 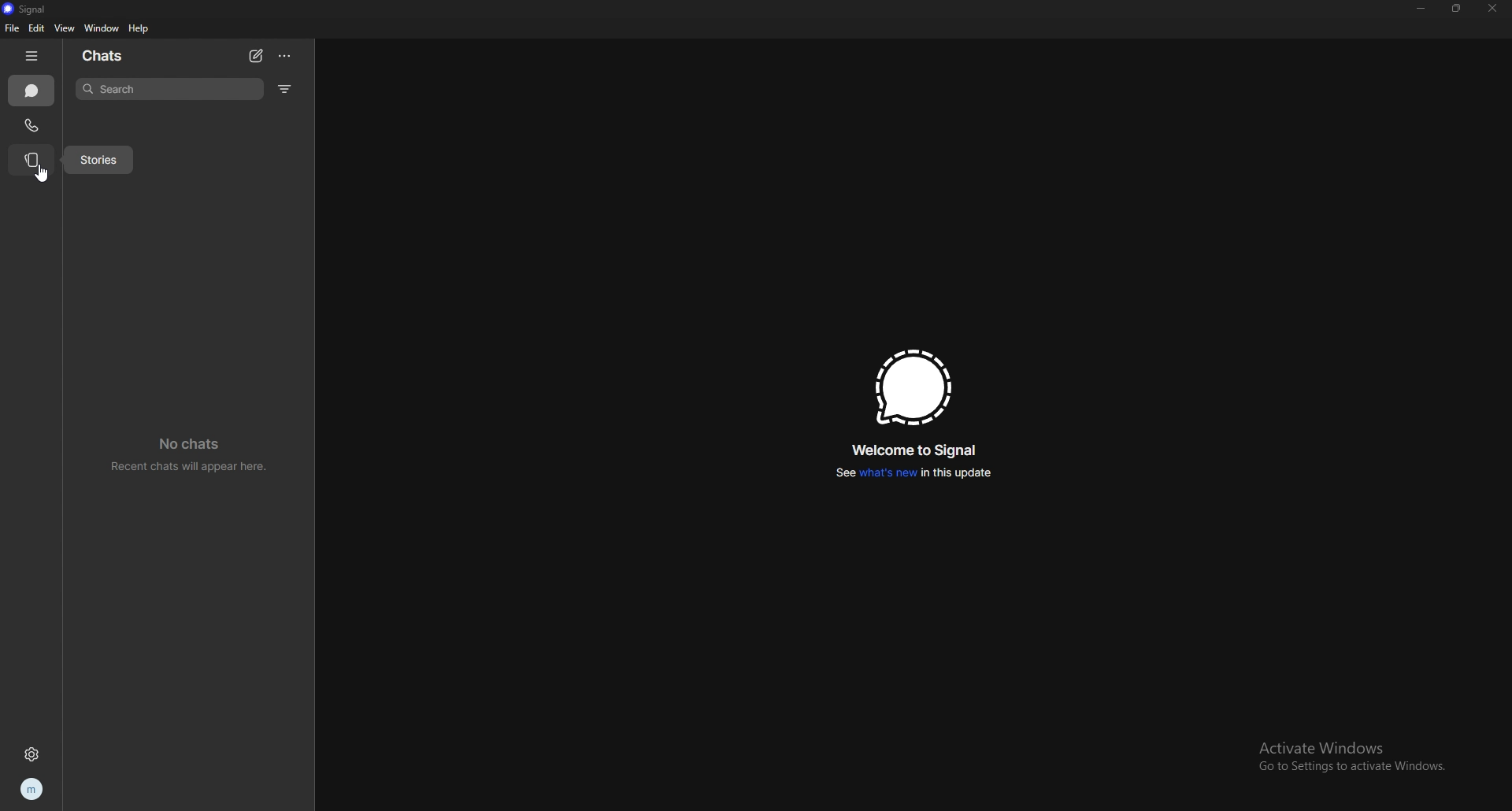 What do you see at coordinates (65, 28) in the screenshot?
I see `view` at bounding box center [65, 28].